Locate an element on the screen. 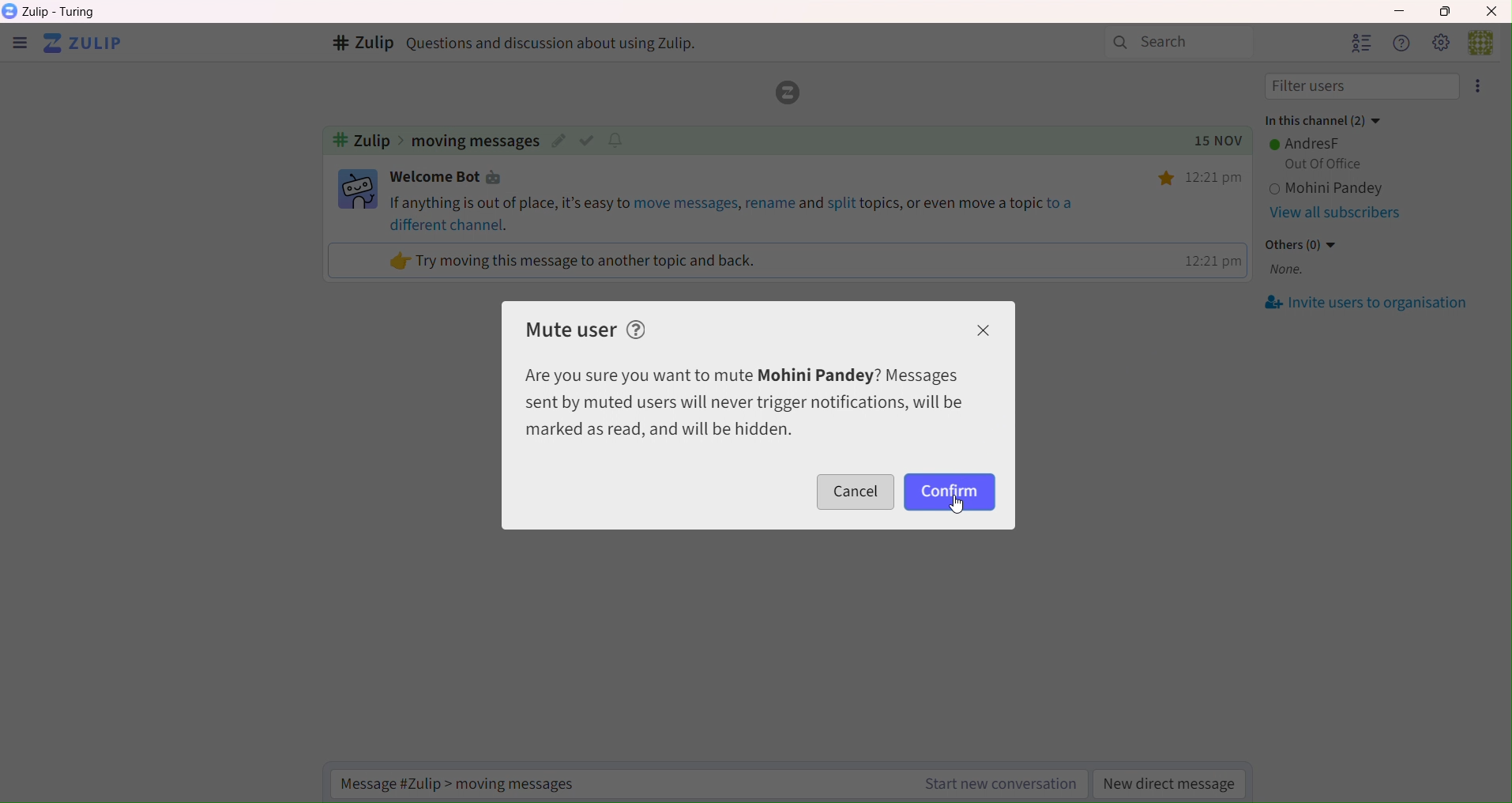  If anything is out of place, it’s easy to move messages, rename and split topics, or even move a topic to a
different channel. is located at coordinates (735, 213).